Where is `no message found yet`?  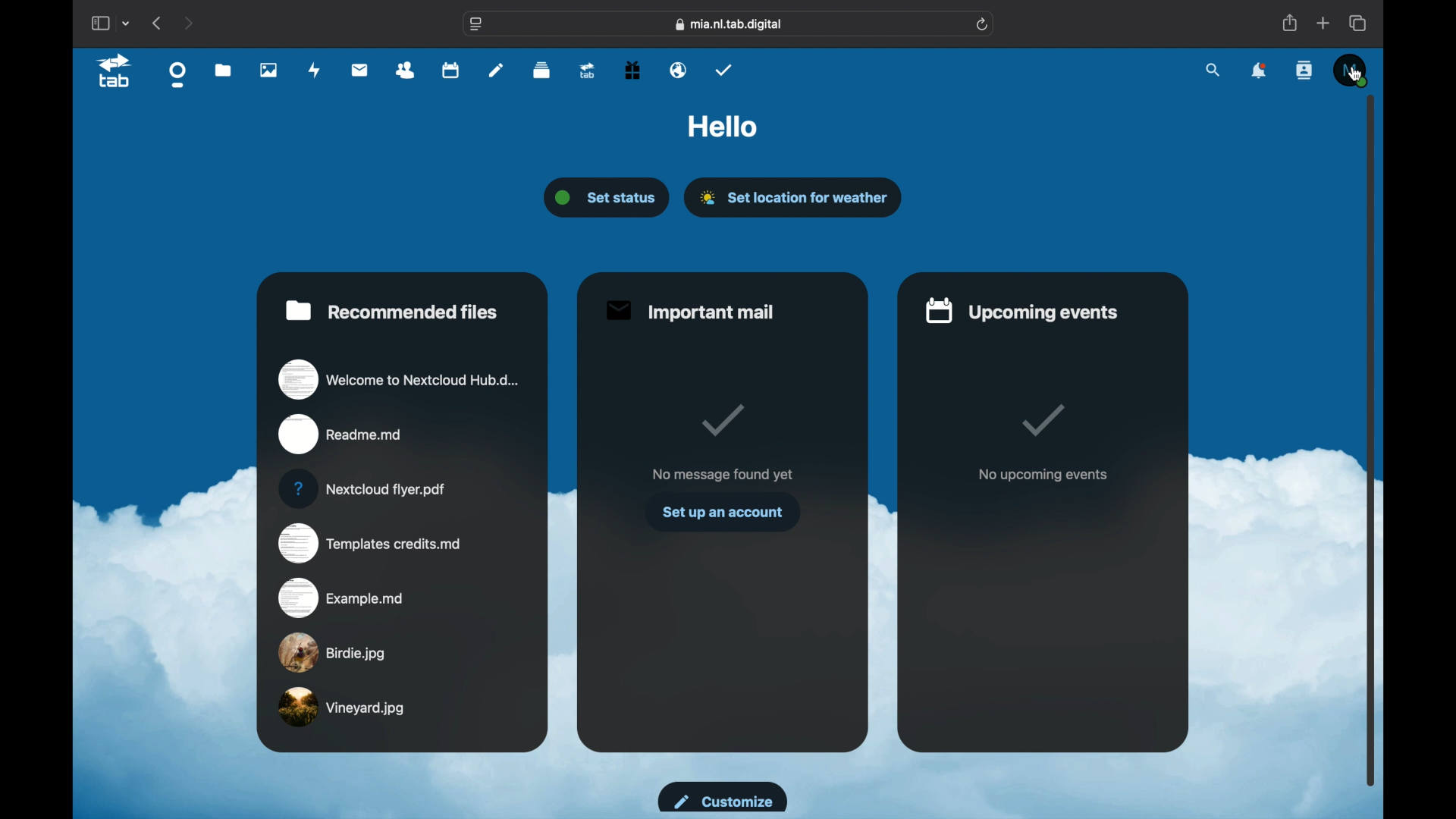 no message found yet is located at coordinates (722, 474).